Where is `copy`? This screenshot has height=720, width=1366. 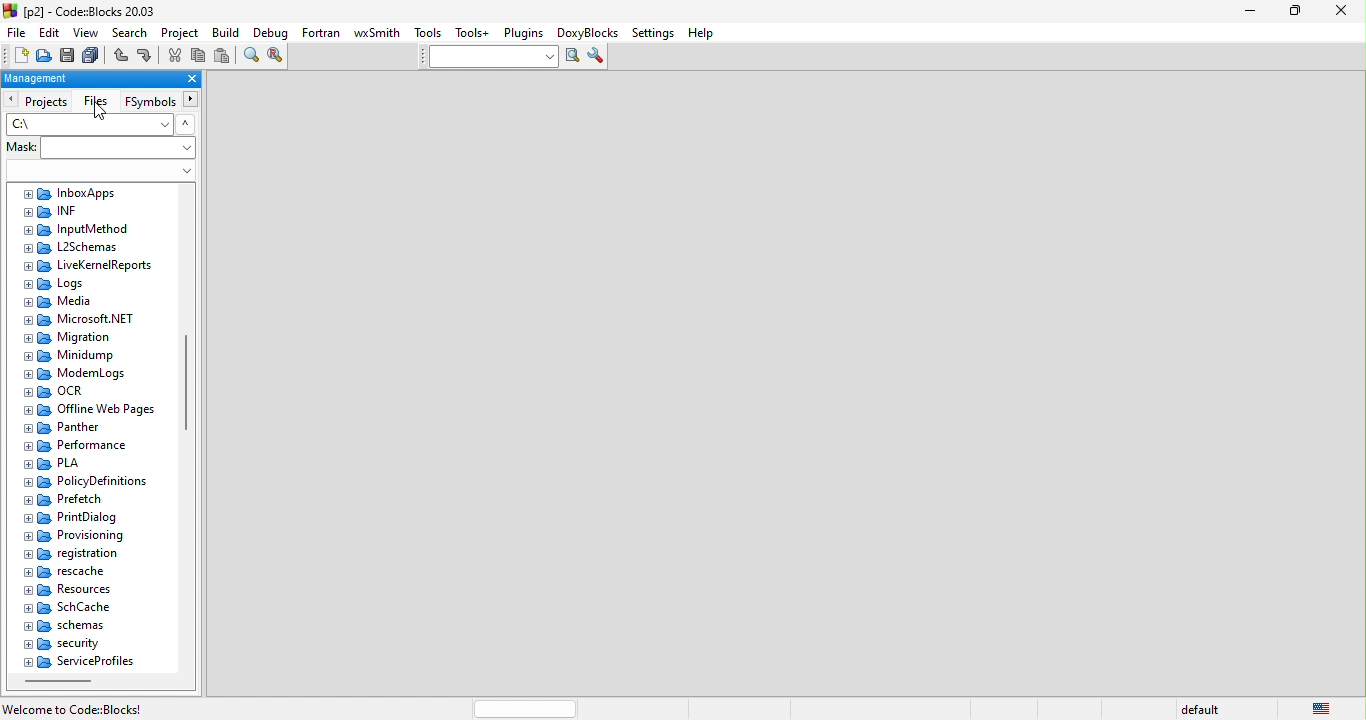 copy is located at coordinates (199, 56).